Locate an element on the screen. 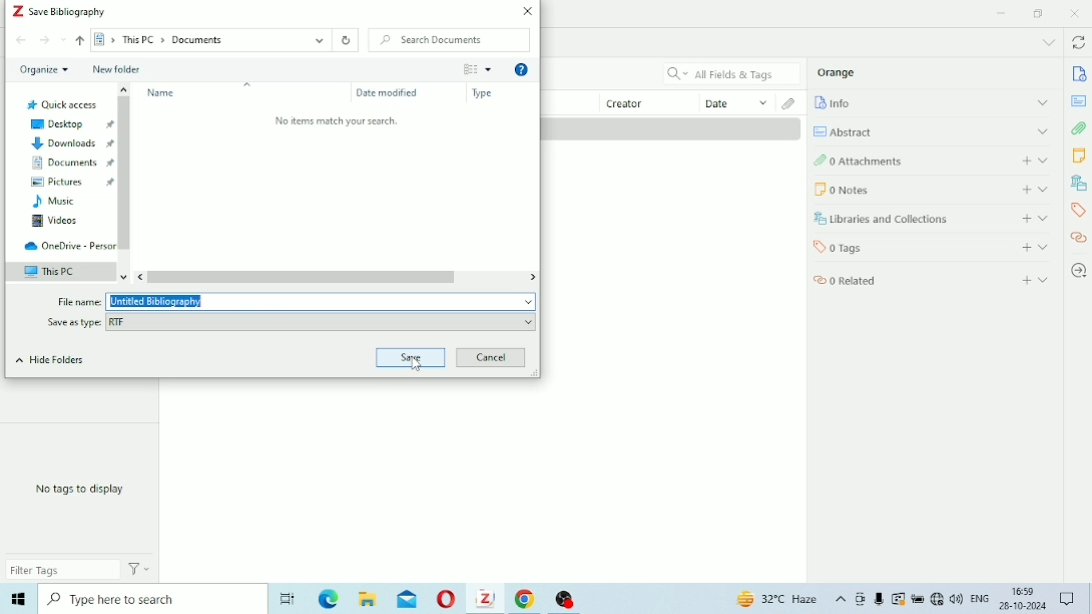 The height and width of the screenshot is (614, 1092). Refresh "Documents" is located at coordinates (346, 40).